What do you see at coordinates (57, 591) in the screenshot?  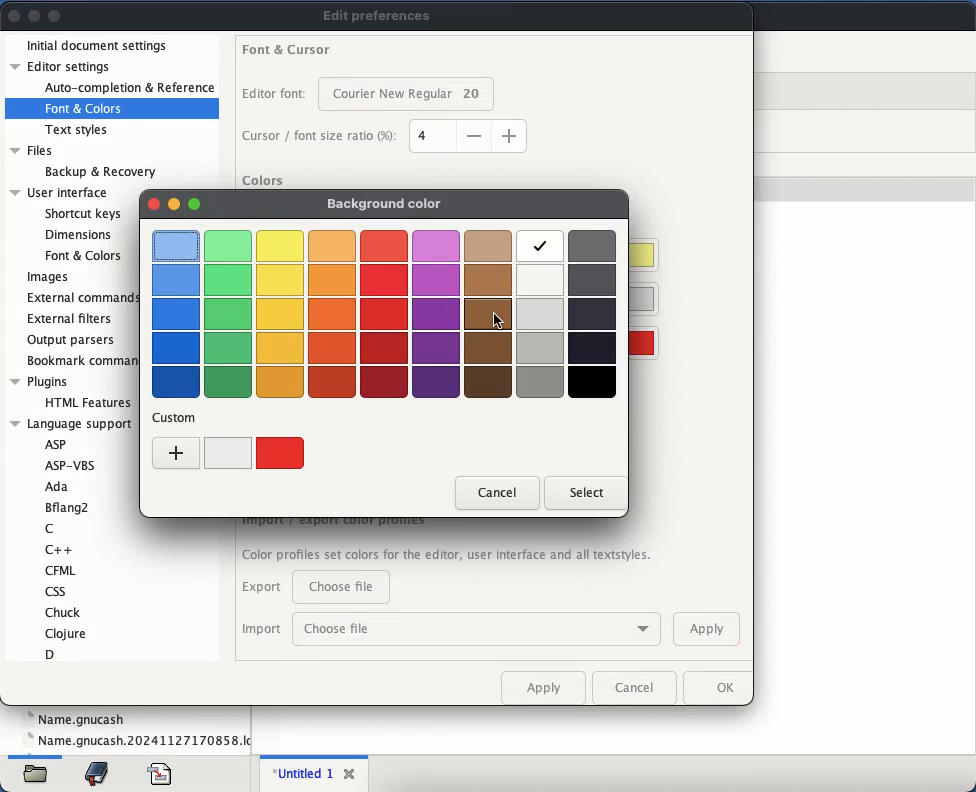 I see `css` at bounding box center [57, 591].